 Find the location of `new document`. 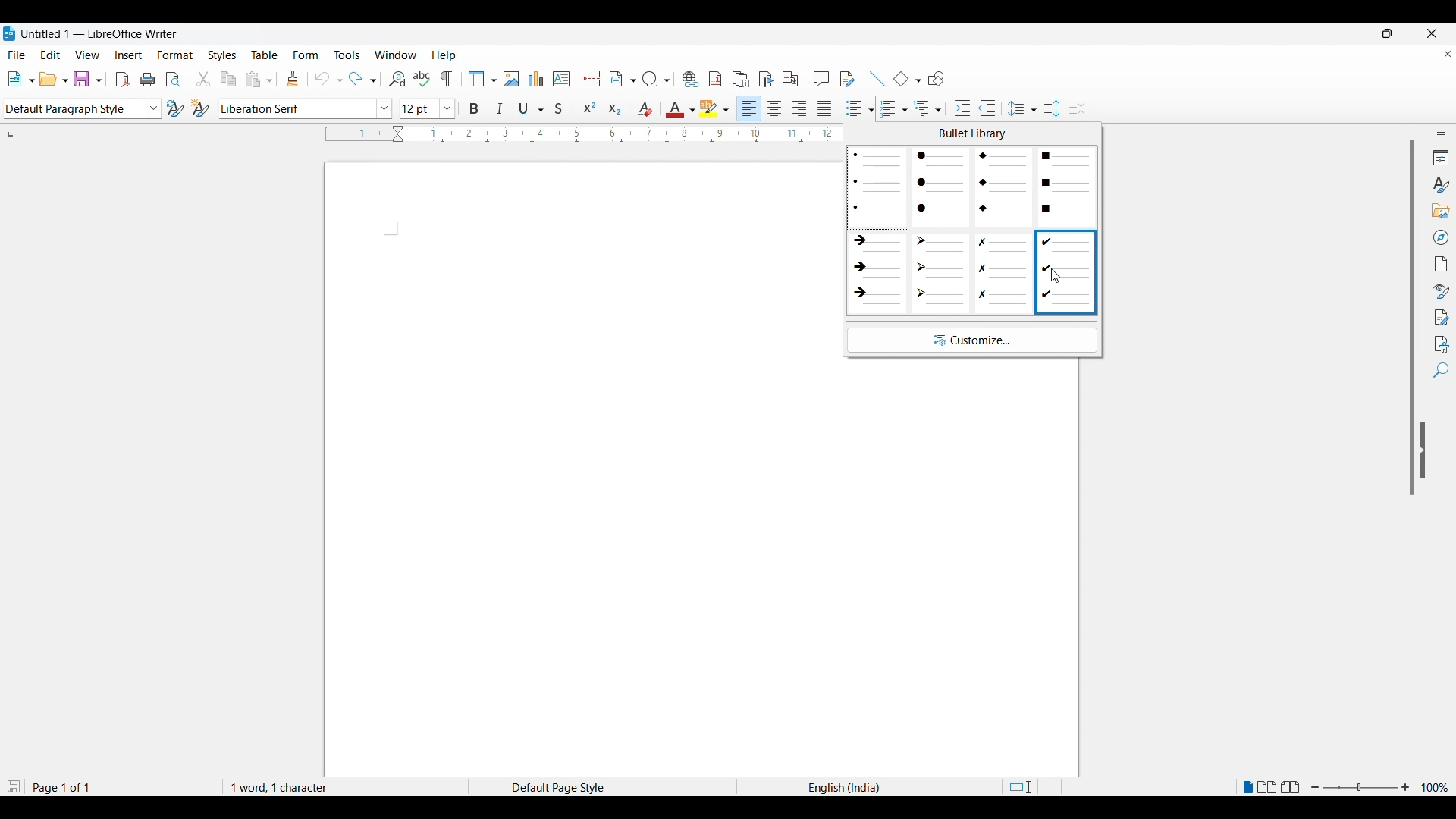

new document is located at coordinates (20, 78).